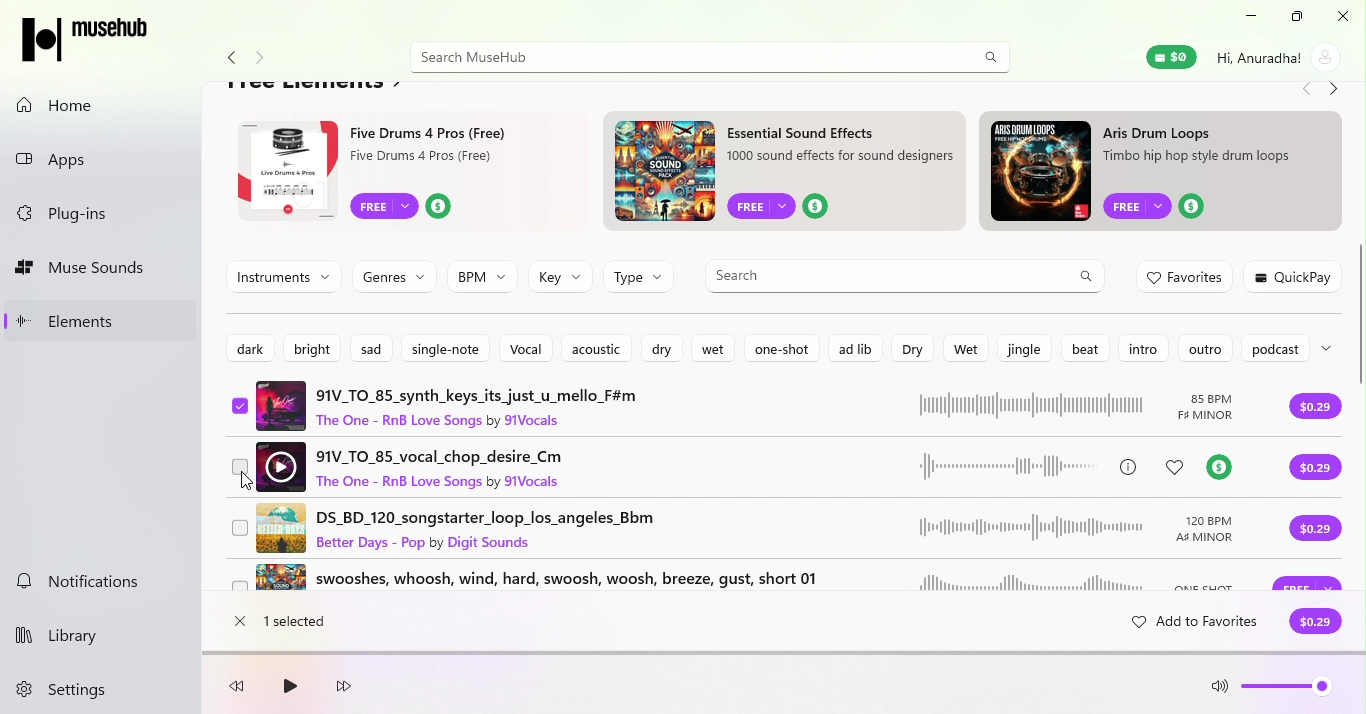 This screenshot has height=714, width=1366. I want to click on Select music, so click(240, 469).